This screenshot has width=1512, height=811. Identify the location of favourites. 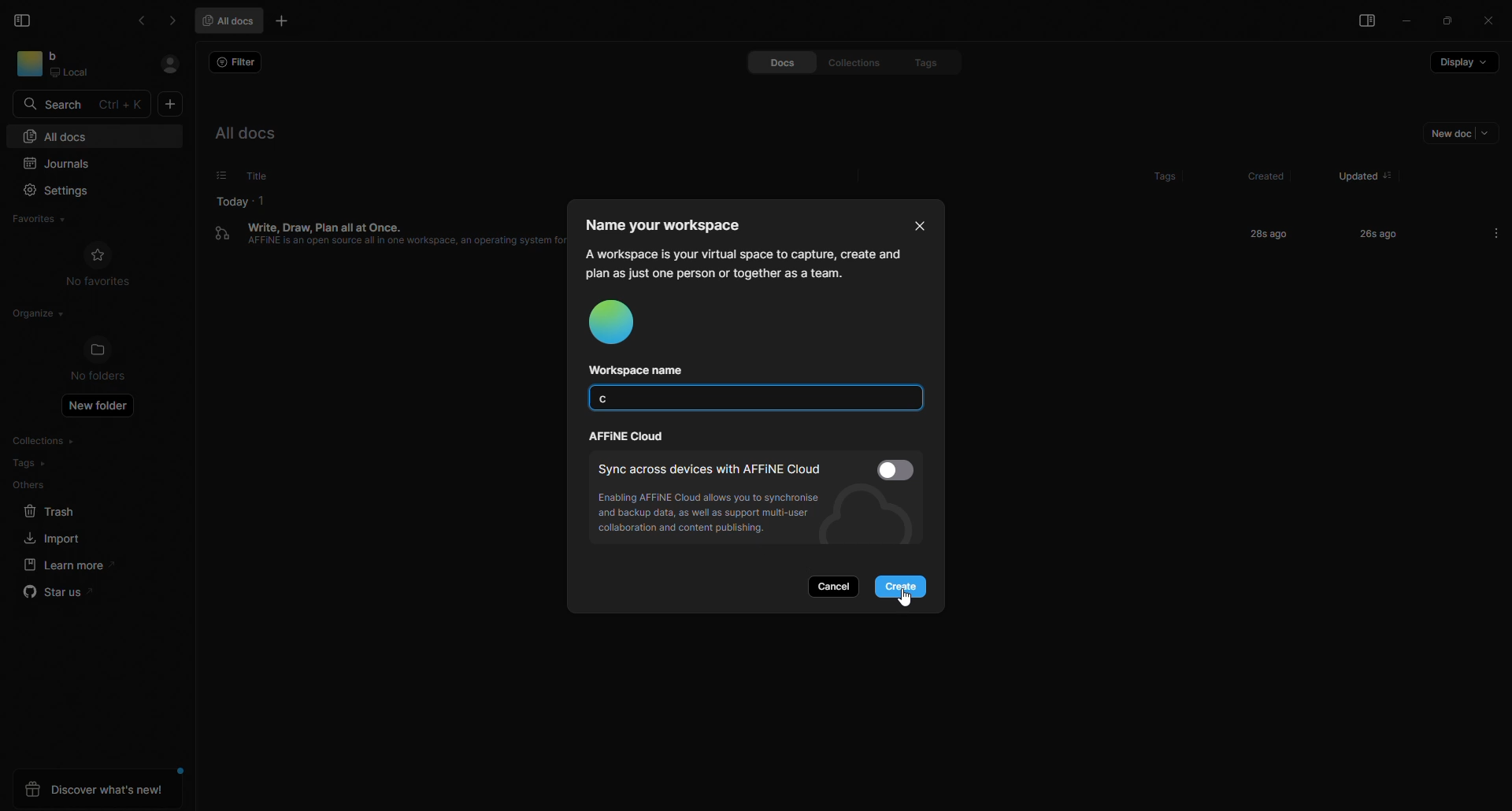
(47, 217).